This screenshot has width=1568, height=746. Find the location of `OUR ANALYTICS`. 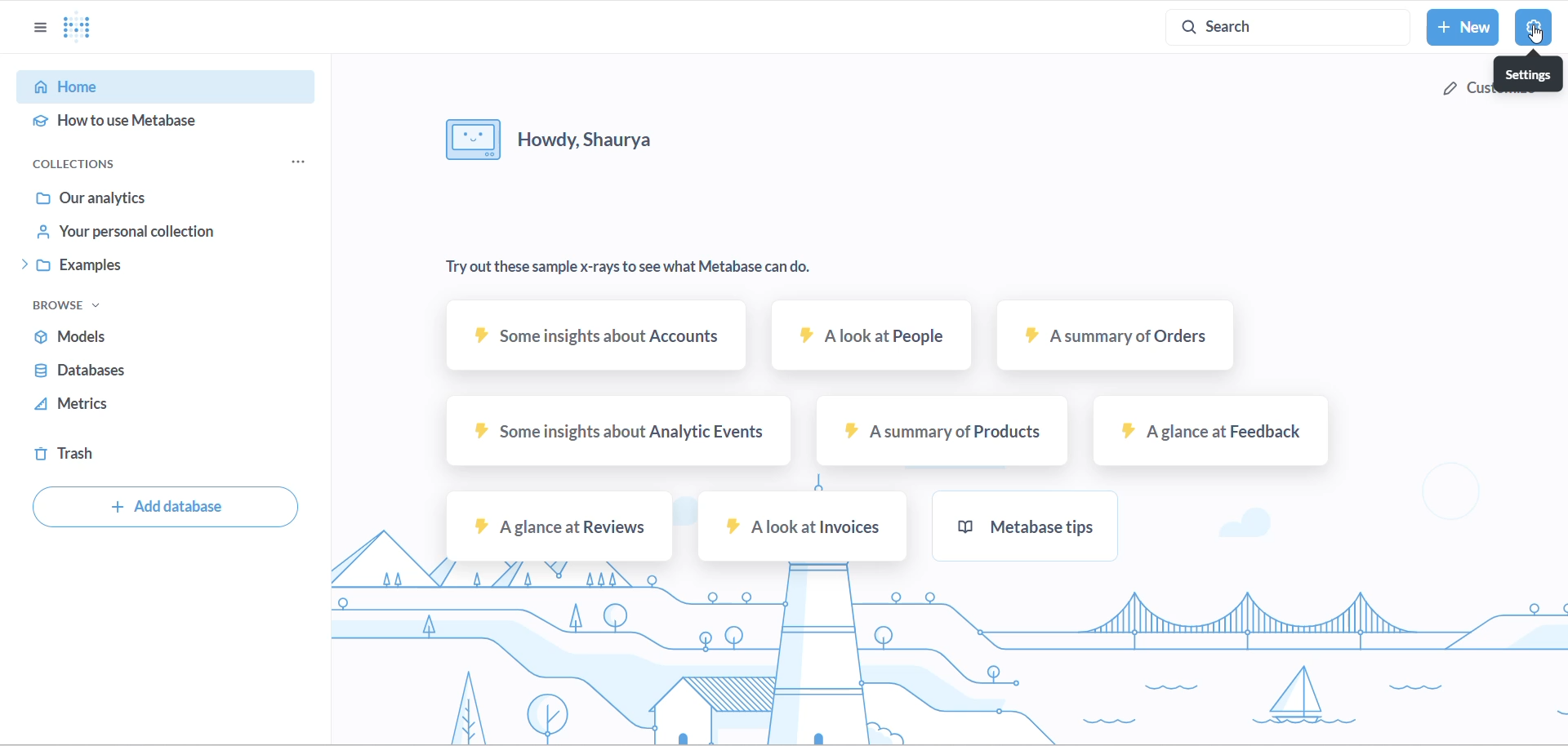

OUR ANALYTICS is located at coordinates (124, 200).